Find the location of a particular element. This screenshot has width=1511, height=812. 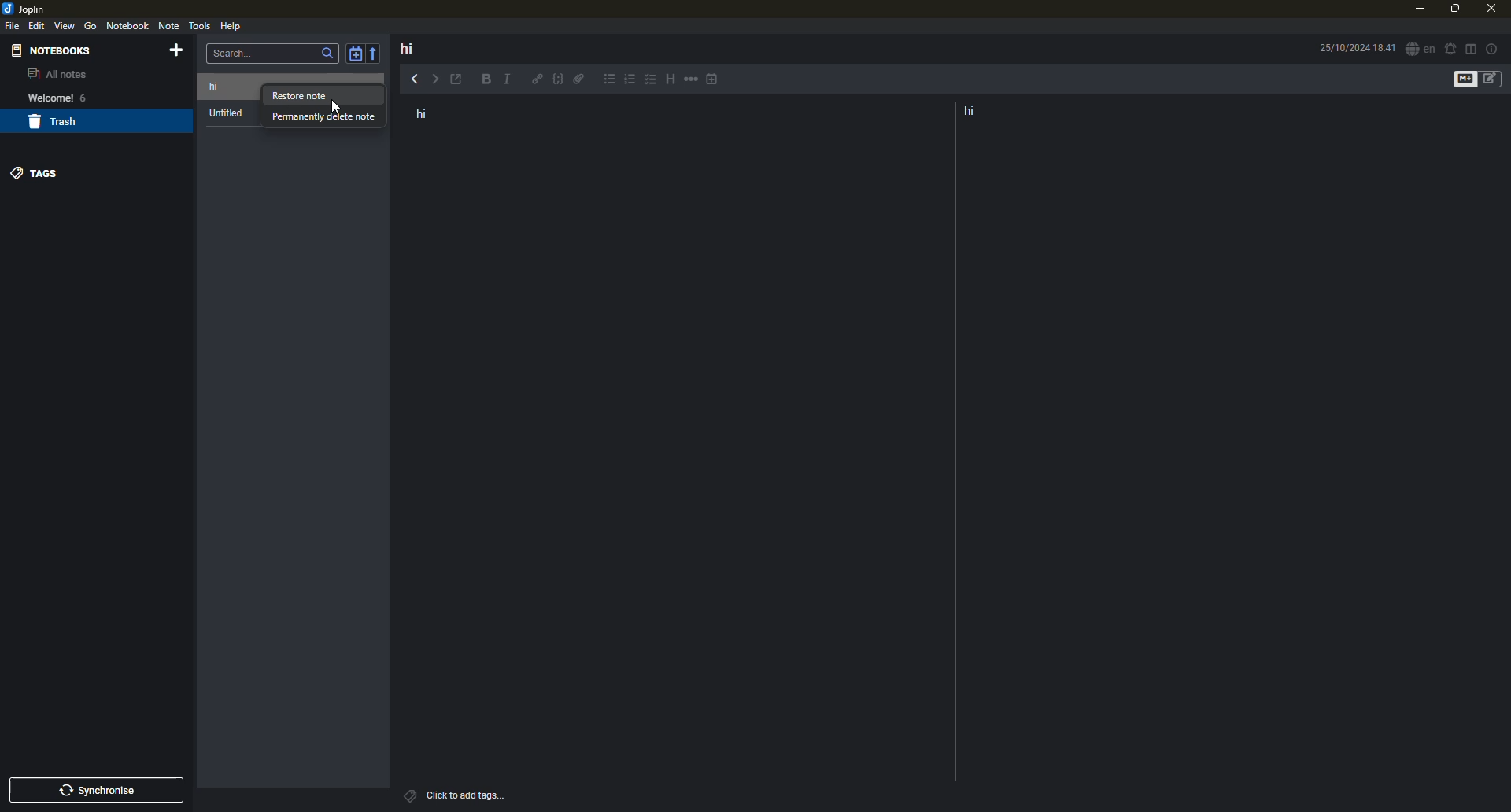

toggle editors is located at coordinates (1461, 79).